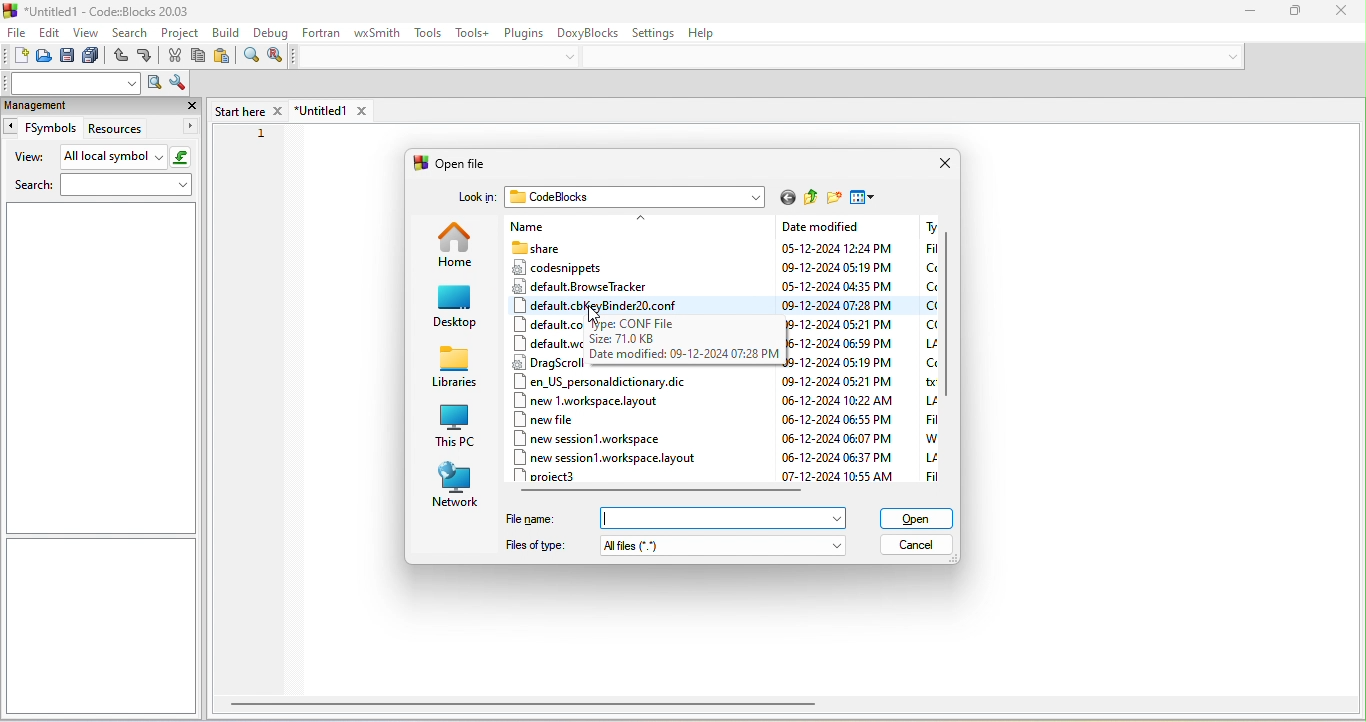 The width and height of the screenshot is (1366, 722). What do you see at coordinates (456, 427) in the screenshot?
I see `this pc` at bounding box center [456, 427].